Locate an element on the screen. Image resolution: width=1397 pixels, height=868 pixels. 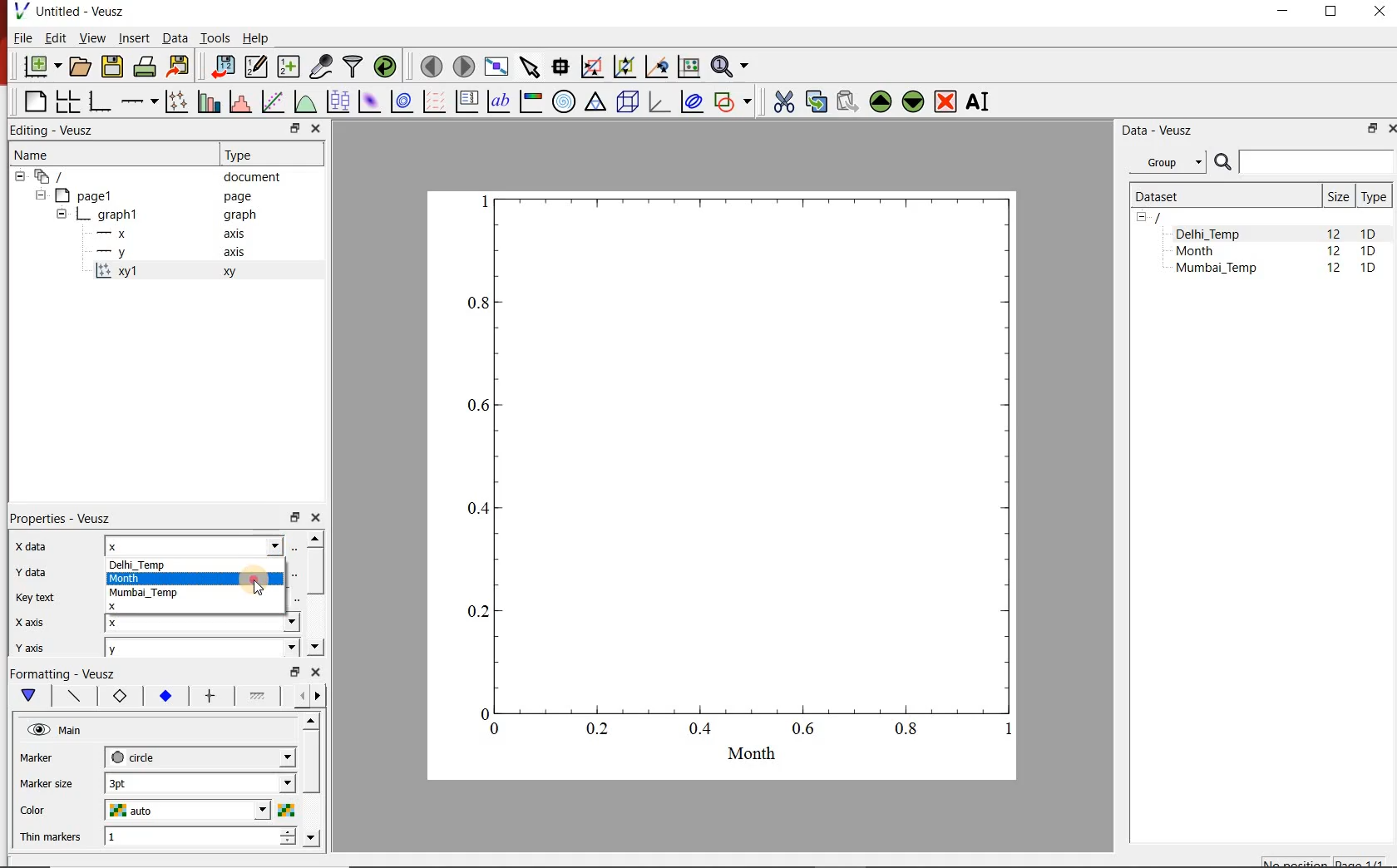
plot a vector field is located at coordinates (433, 102).